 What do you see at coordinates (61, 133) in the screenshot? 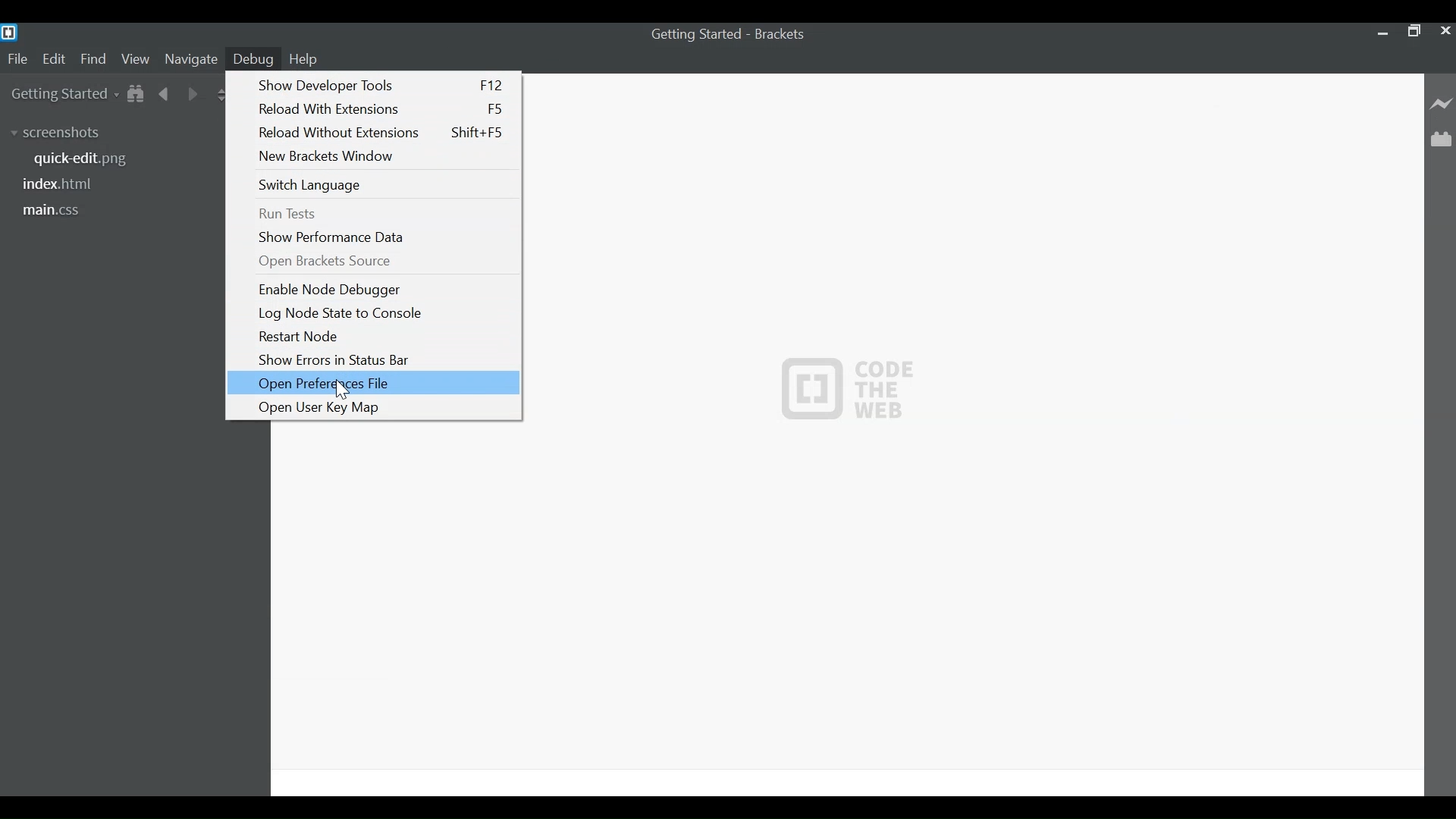
I see `screenshots ` at bounding box center [61, 133].